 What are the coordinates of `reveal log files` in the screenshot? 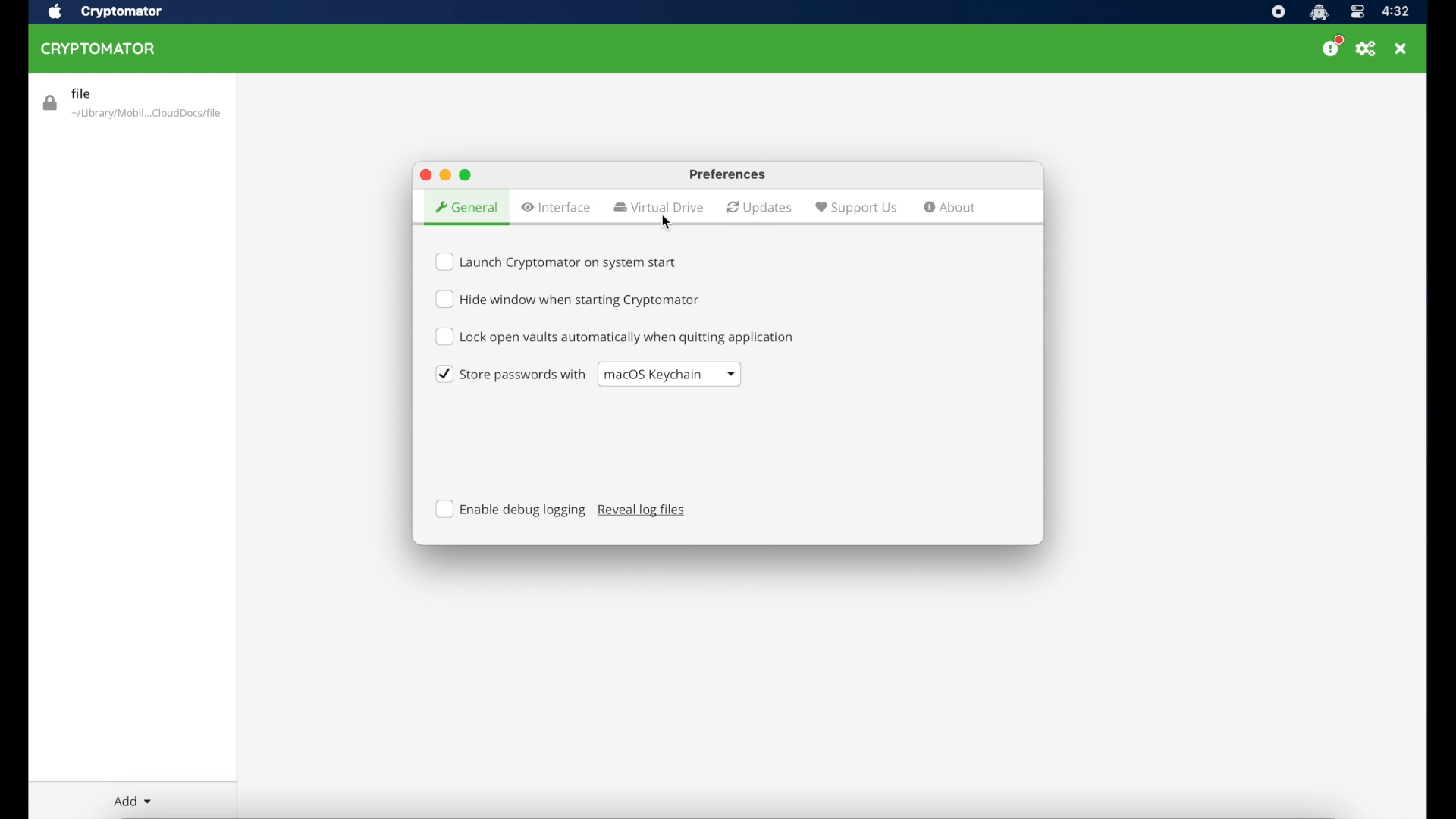 It's located at (646, 510).